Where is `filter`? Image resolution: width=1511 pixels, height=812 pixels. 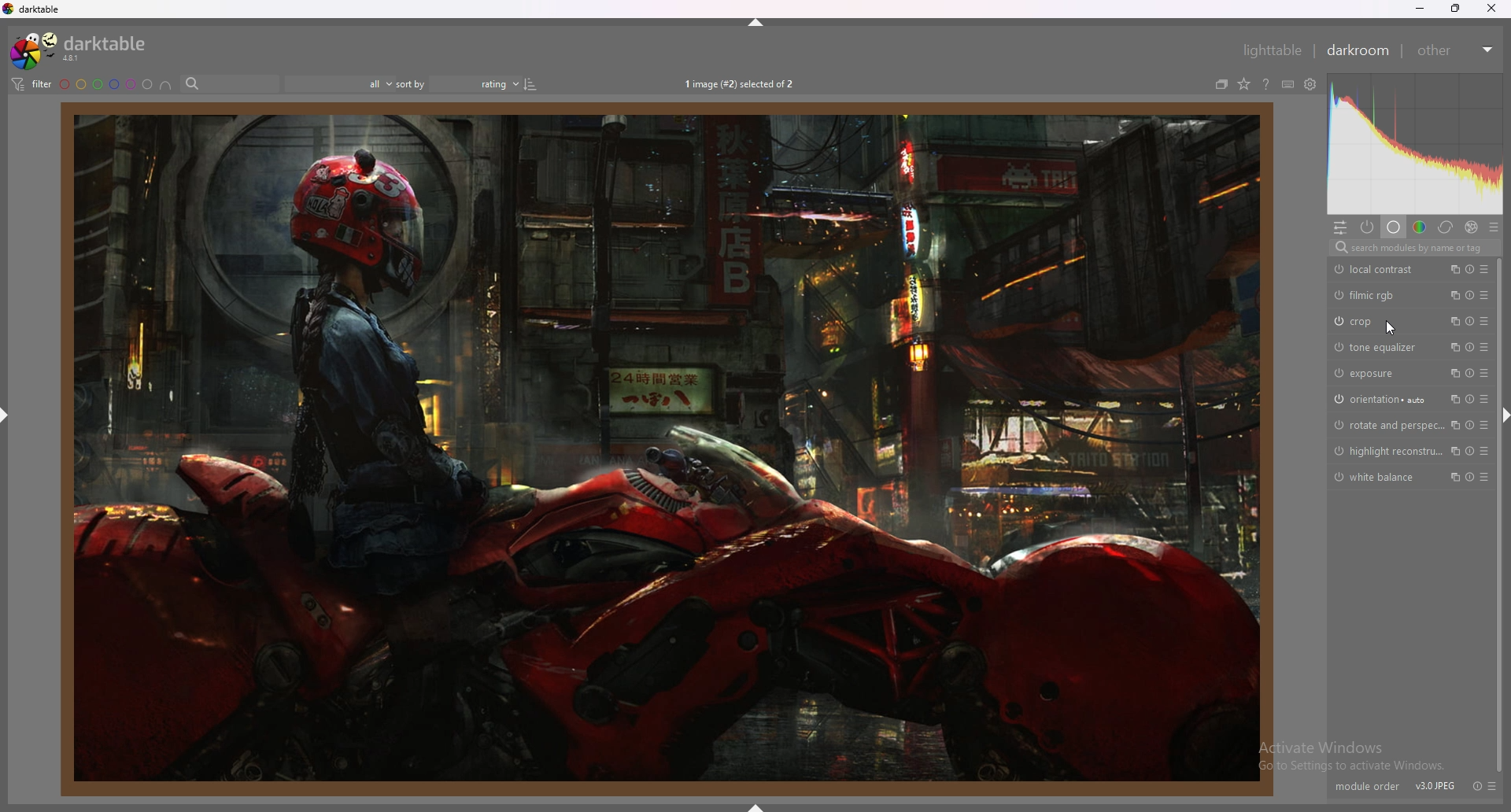
filter is located at coordinates (31, 84).